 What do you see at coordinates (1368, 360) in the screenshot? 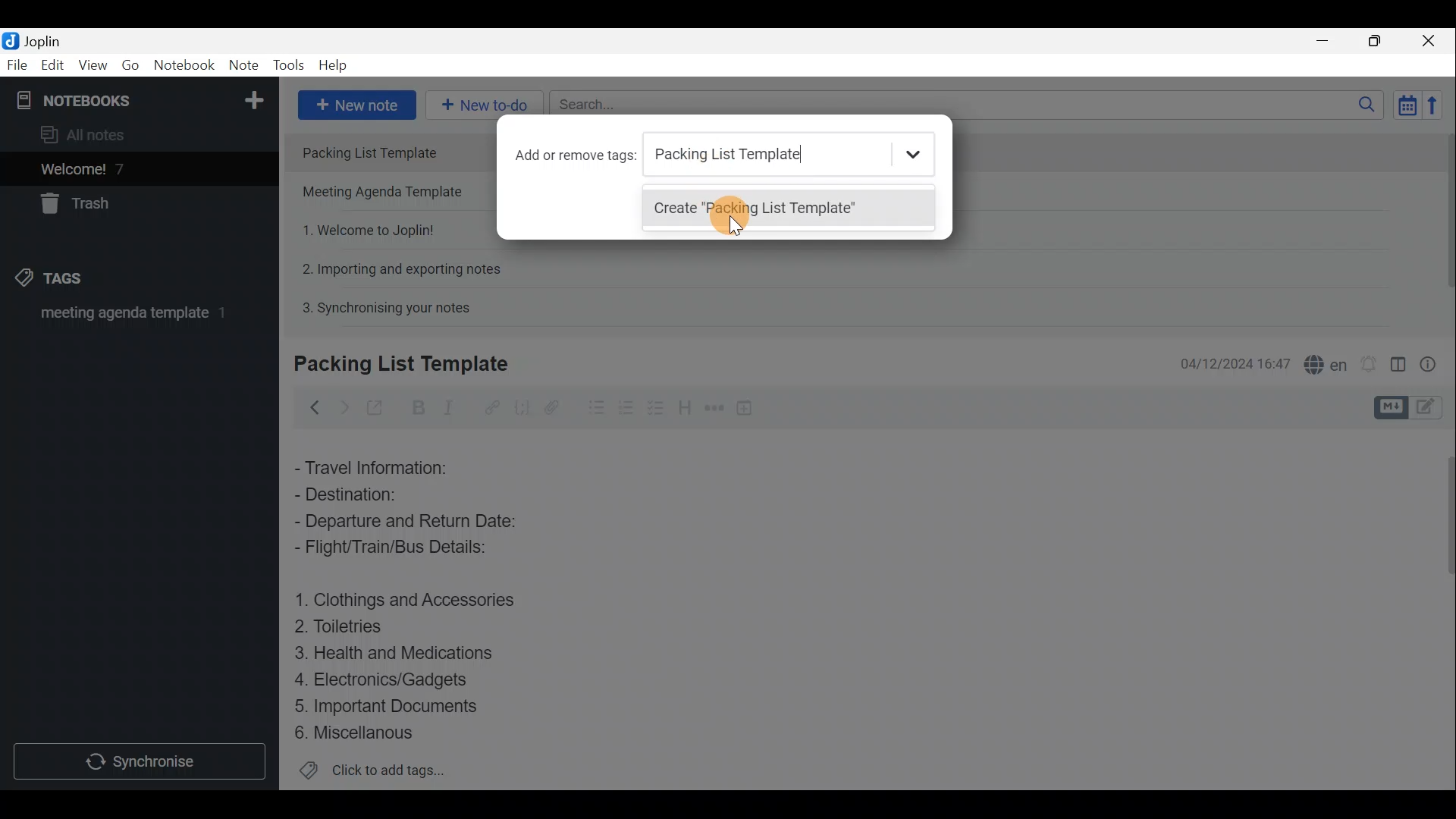
I see `Set alarm` at bounding box center [1368, 360].